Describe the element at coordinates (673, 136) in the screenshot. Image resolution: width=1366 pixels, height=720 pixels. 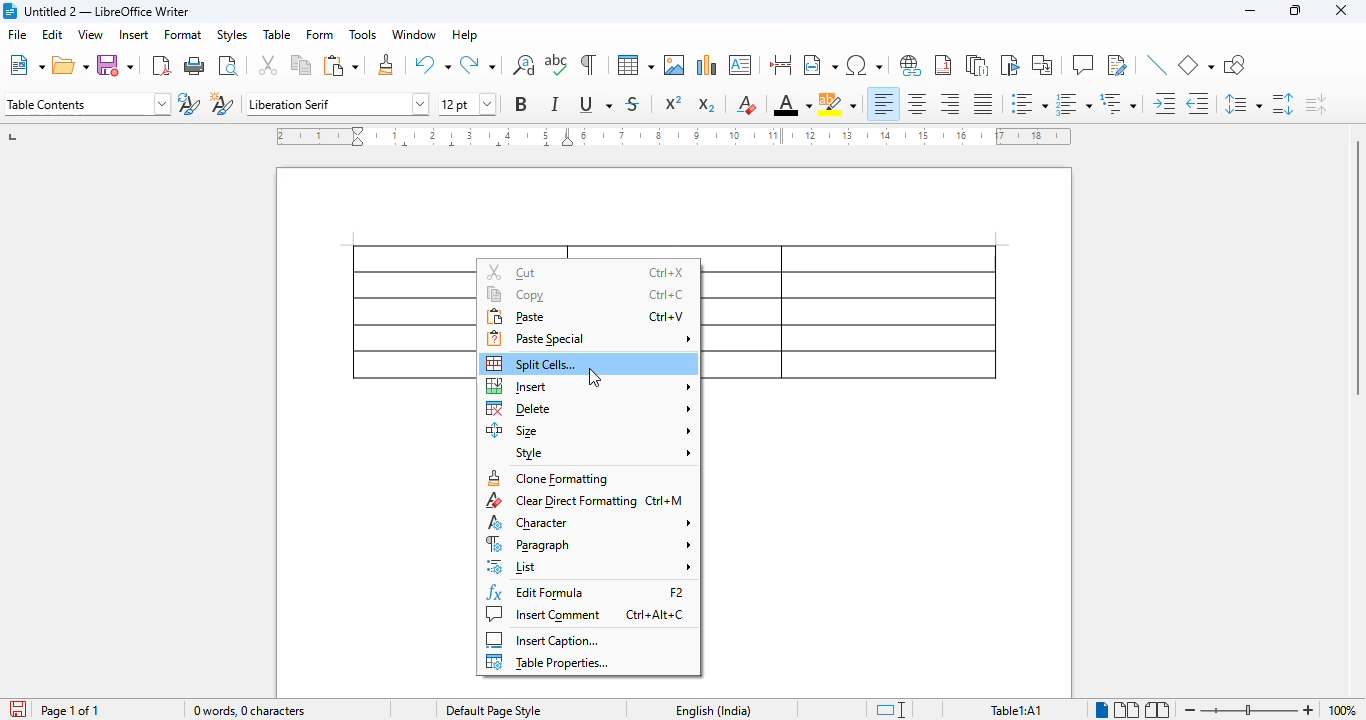
I see `ruler` at that location.